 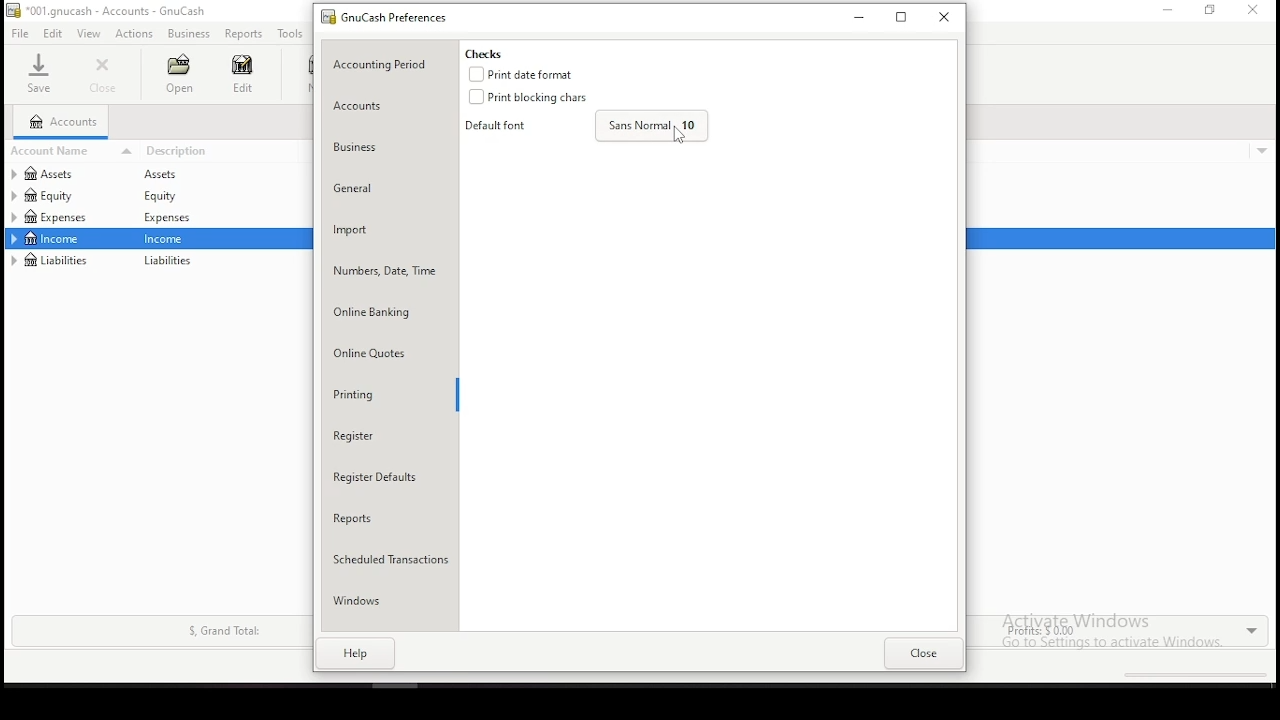 What do you see at coordinates (584, 127) in the screenshot?
I see `default font selection and size` at bounding box center [584, 127].